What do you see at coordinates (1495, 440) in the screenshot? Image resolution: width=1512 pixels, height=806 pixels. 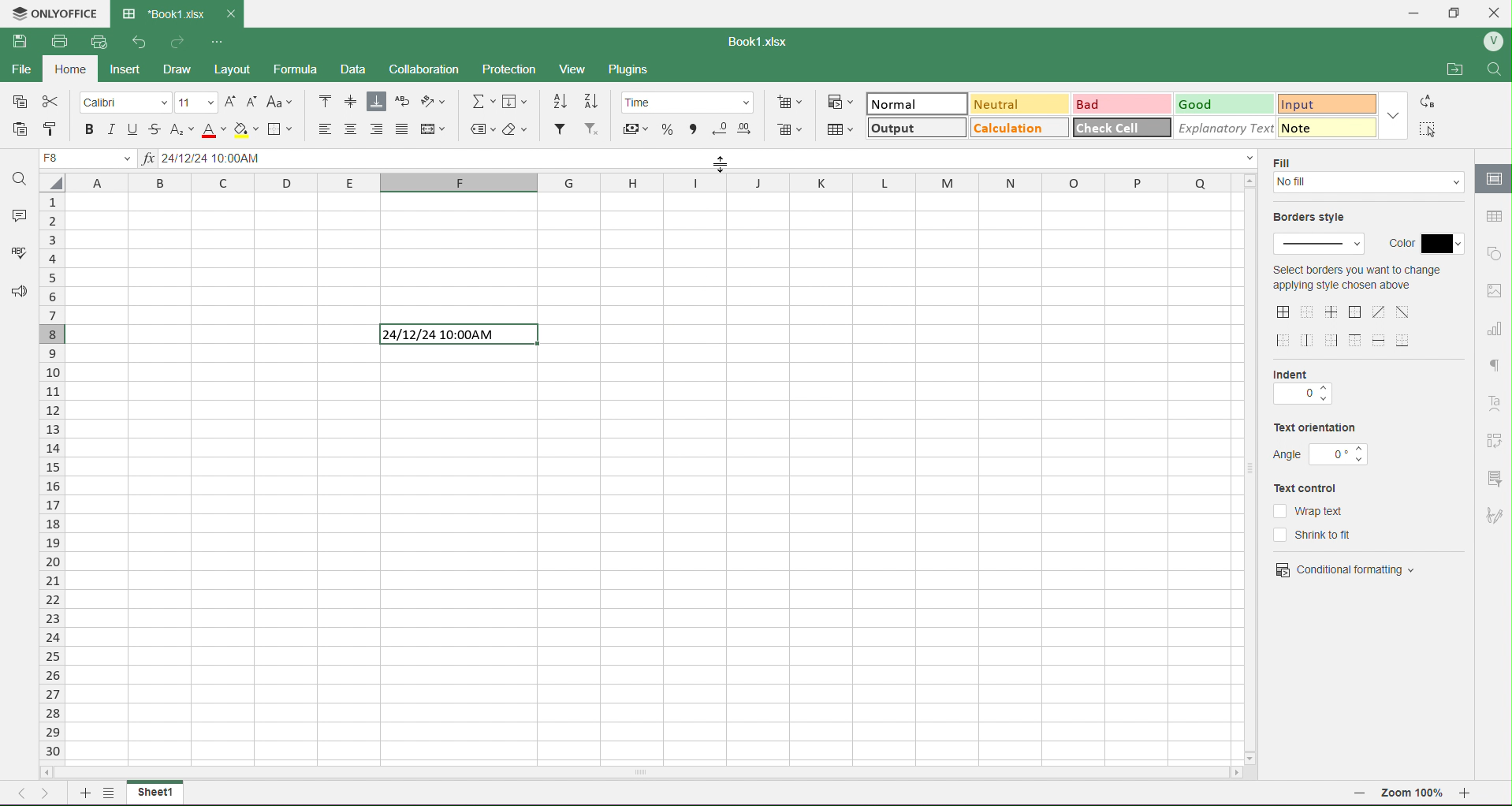 I see `link` at bounding box center [1495, 440].